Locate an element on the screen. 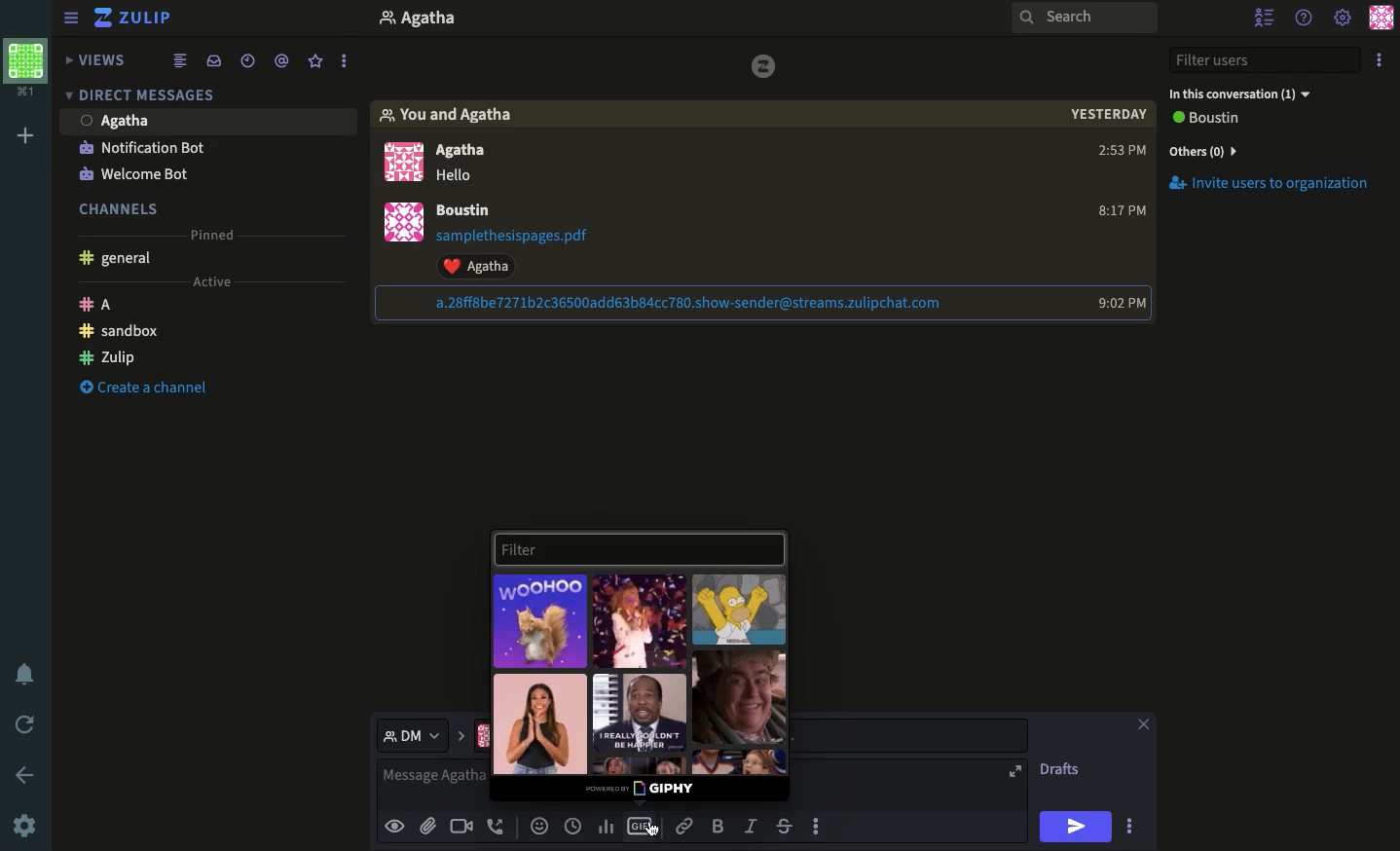 The image size is (1400, 851). Invite users to organization is located at coordinates (1271, 152).